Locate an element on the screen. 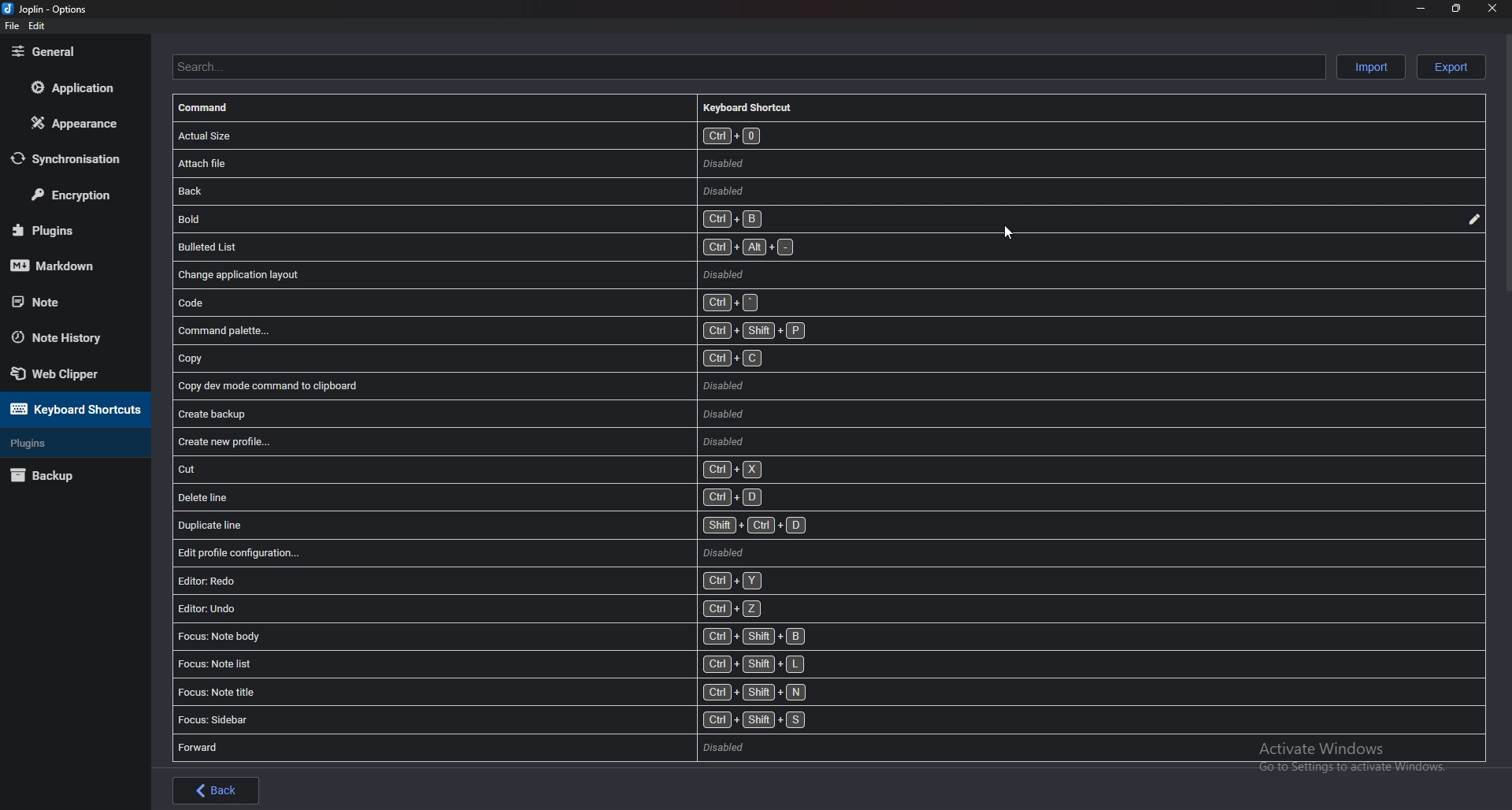 Image resolution: width=1512 pixels, height=810 pixels. Attach file is located at coordinates (629, 163).